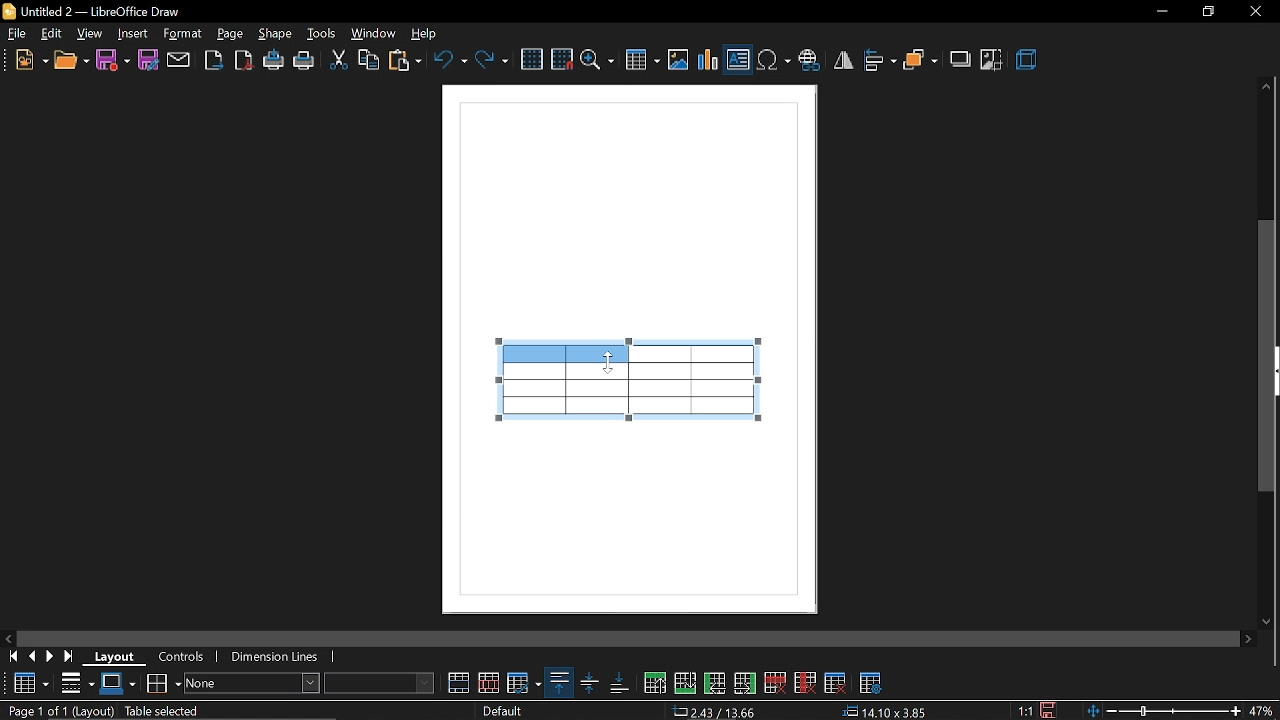  What do you see at coordinates (598, 60) in the screenshot?
I see `zoom` at bounding box center [598, 60].